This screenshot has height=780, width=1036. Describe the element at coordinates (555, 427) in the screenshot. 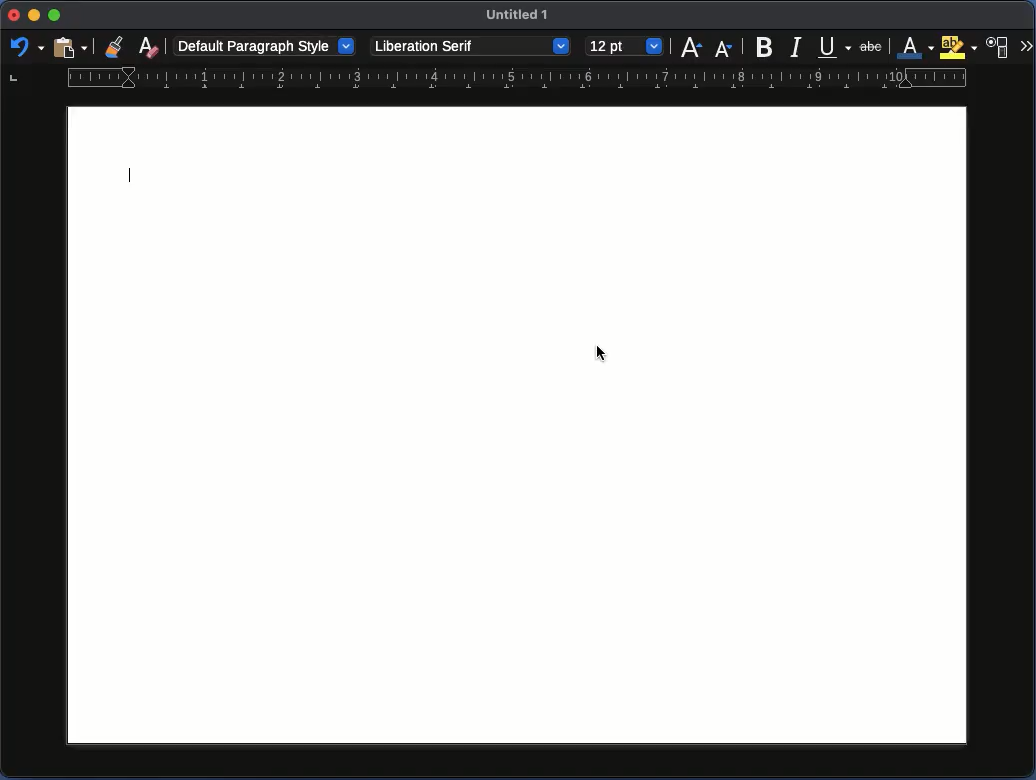

I see `Page` at that location.